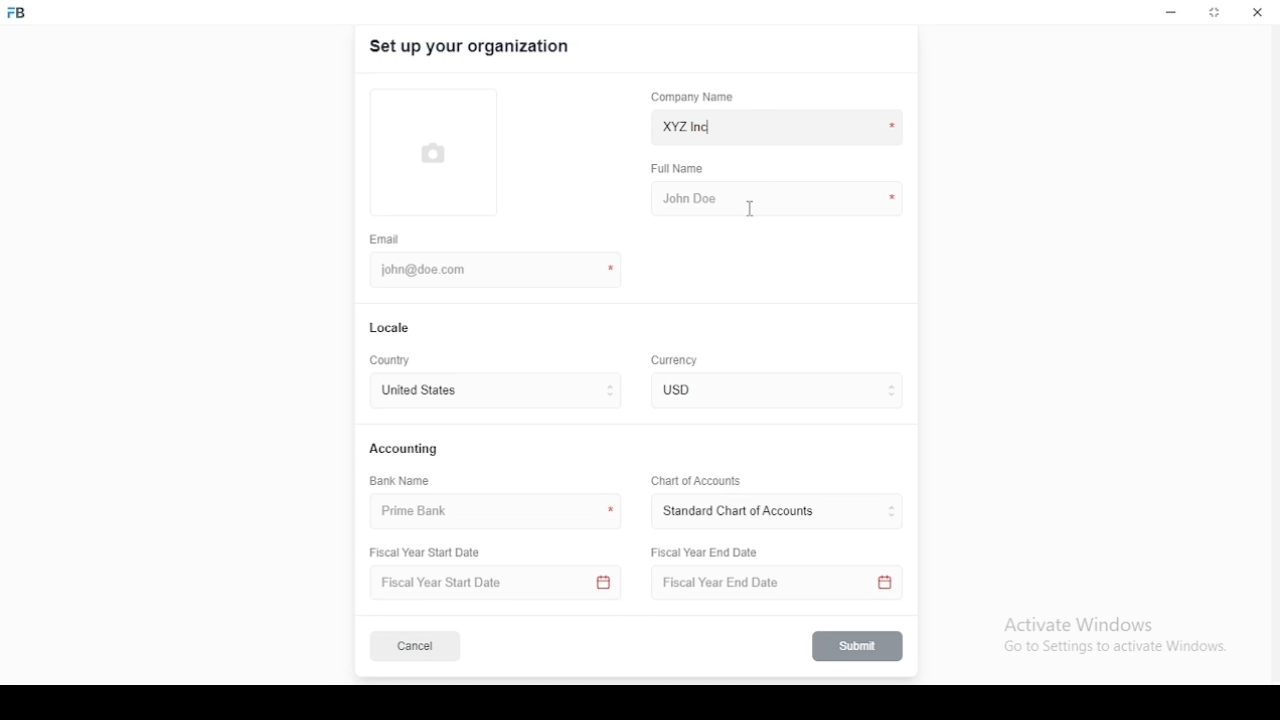  Describe the element at coordinates (1255, 12) in the screenshot. I see `close window` at that location.